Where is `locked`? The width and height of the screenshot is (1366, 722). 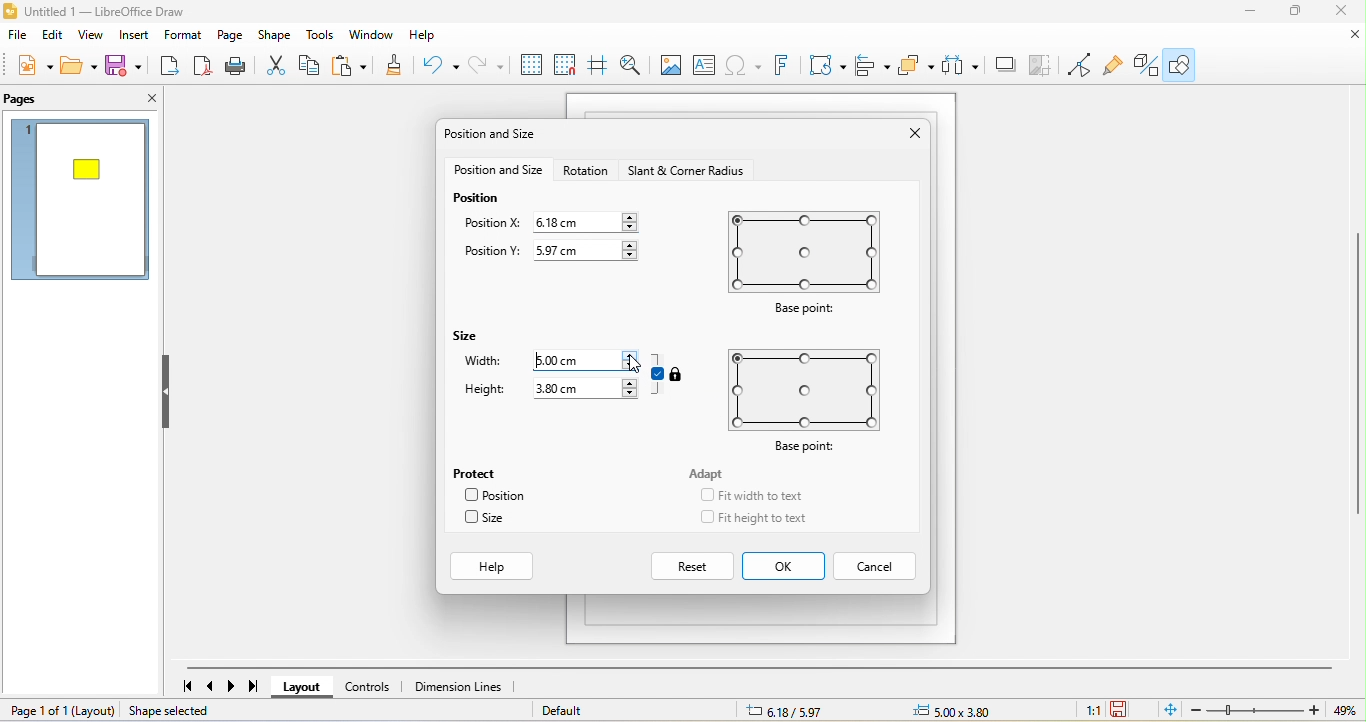
locked is located at coordinates (680, 373).